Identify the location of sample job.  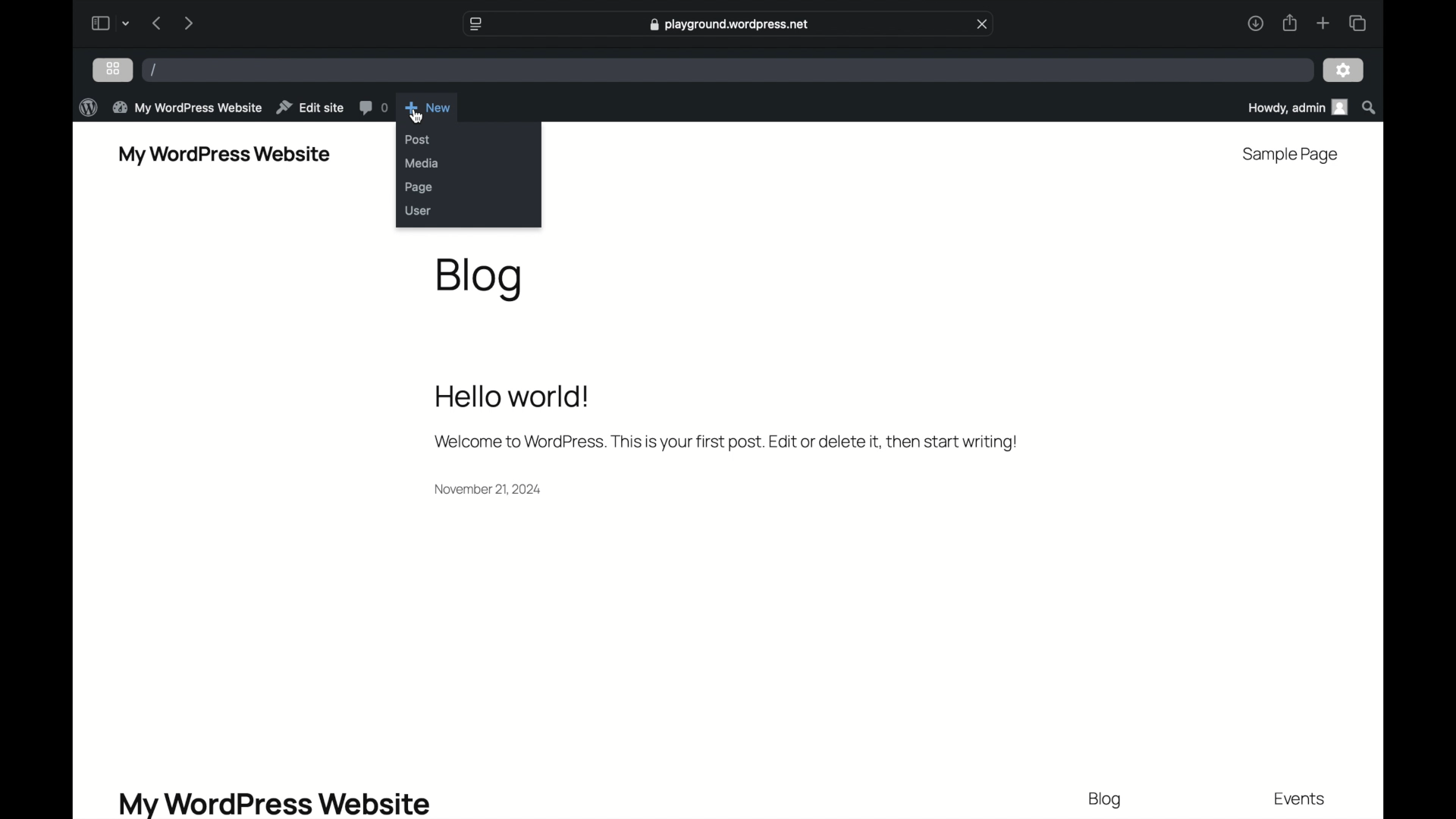
(1291, 155).